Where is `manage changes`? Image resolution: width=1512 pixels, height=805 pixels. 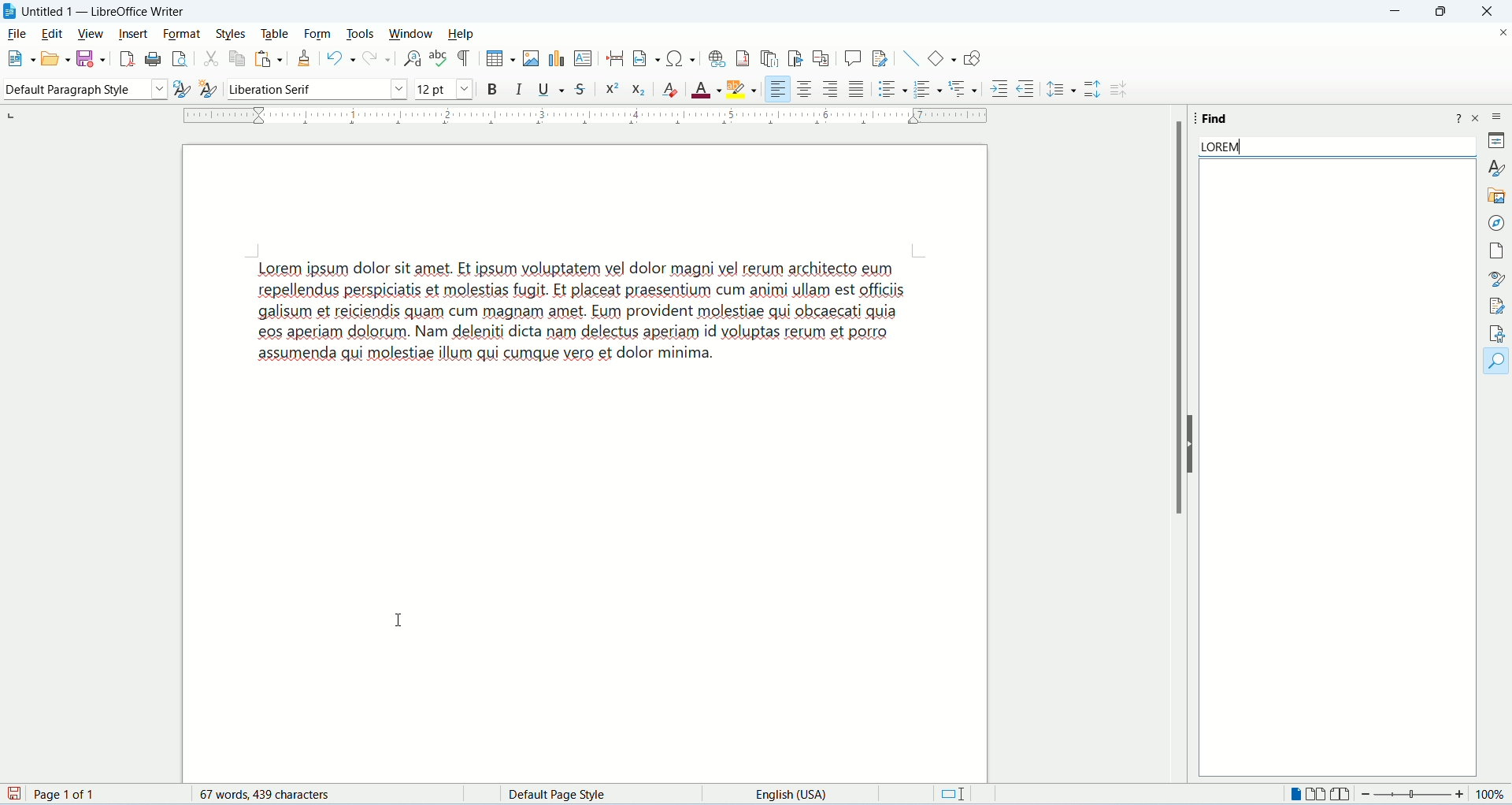 manage changes is located at coordinates (1498, 308).